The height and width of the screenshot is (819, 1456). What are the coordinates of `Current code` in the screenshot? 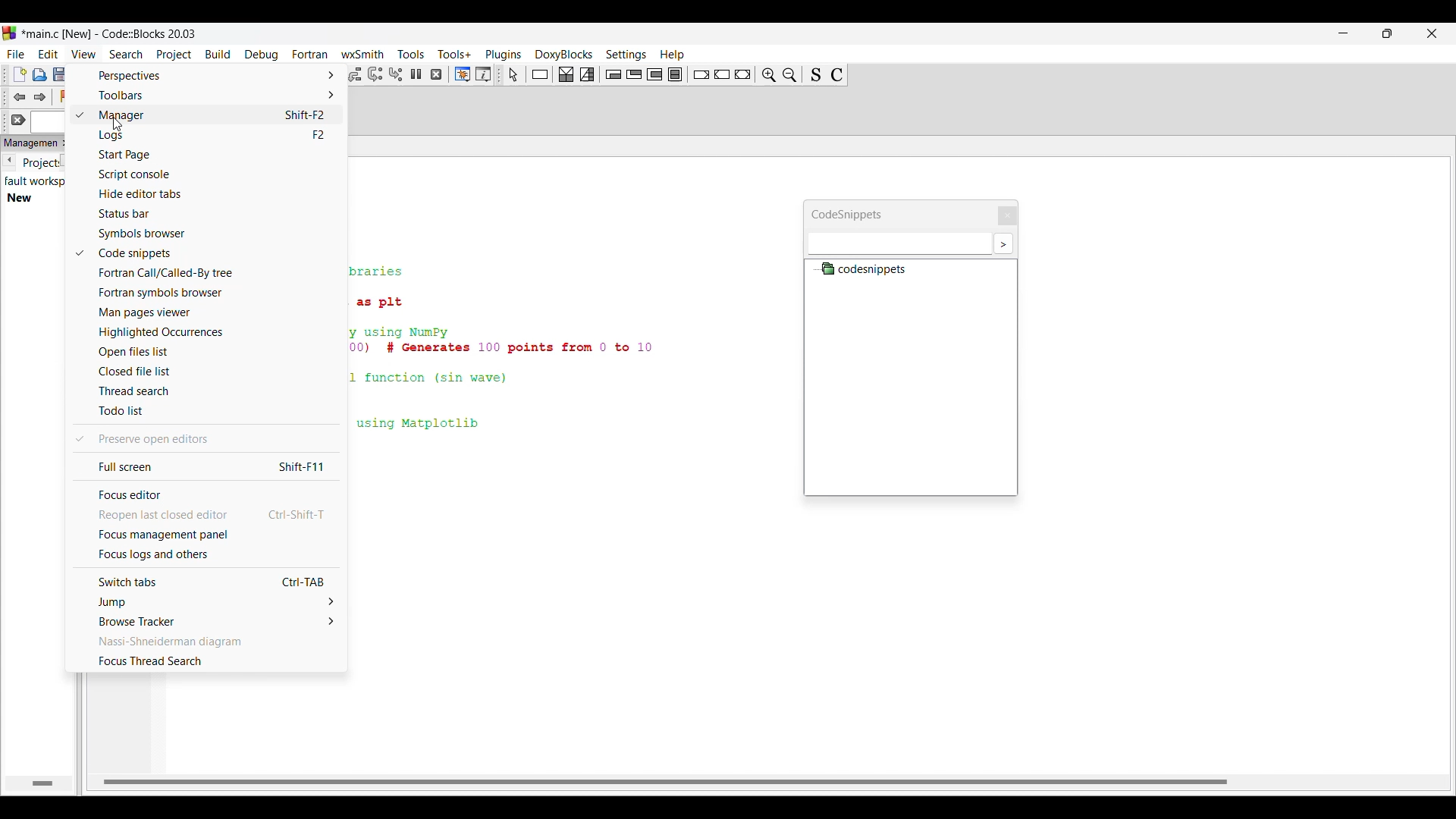 It's located at (507, 350).